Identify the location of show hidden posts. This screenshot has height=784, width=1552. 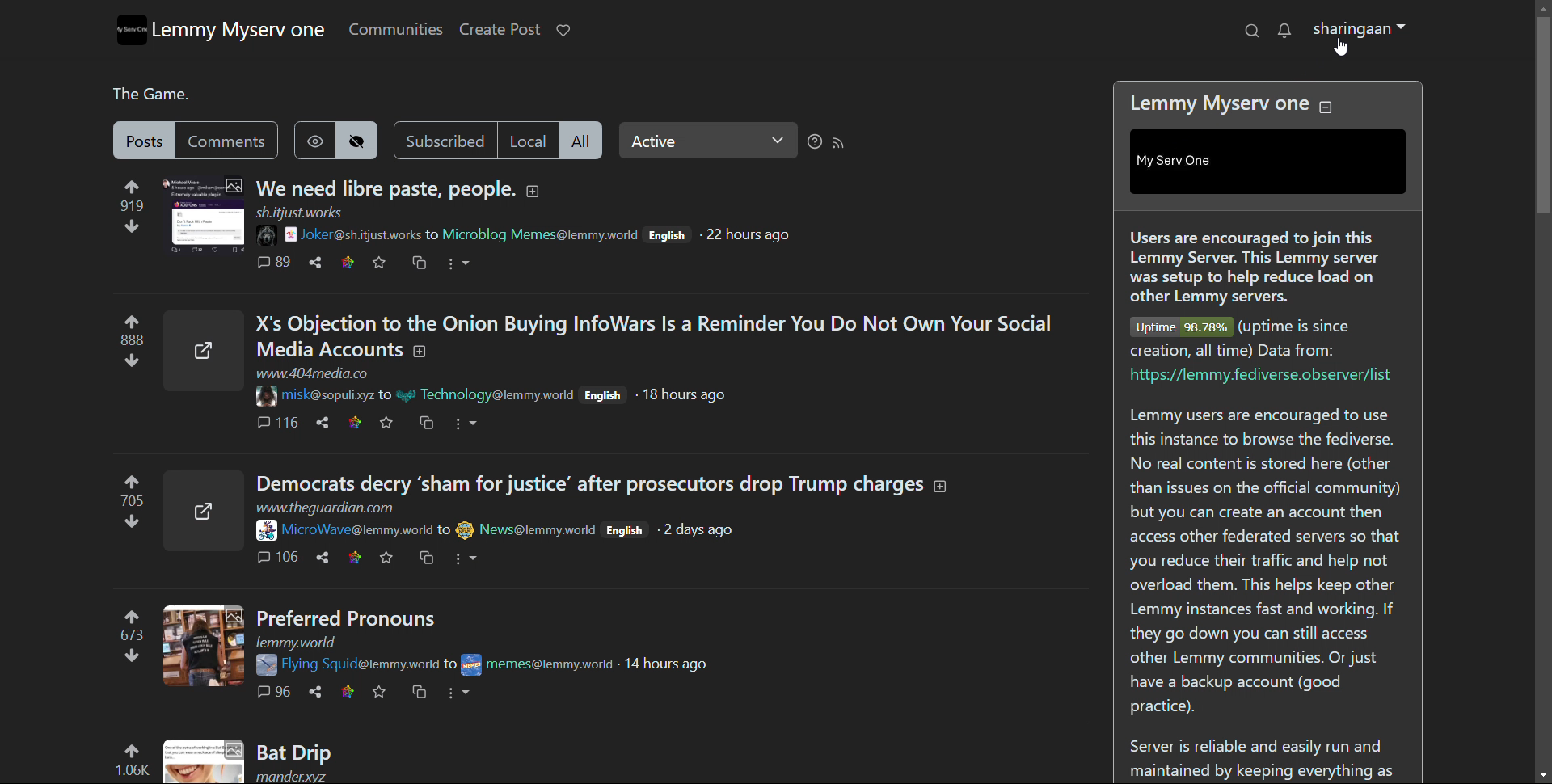
(314, 141).